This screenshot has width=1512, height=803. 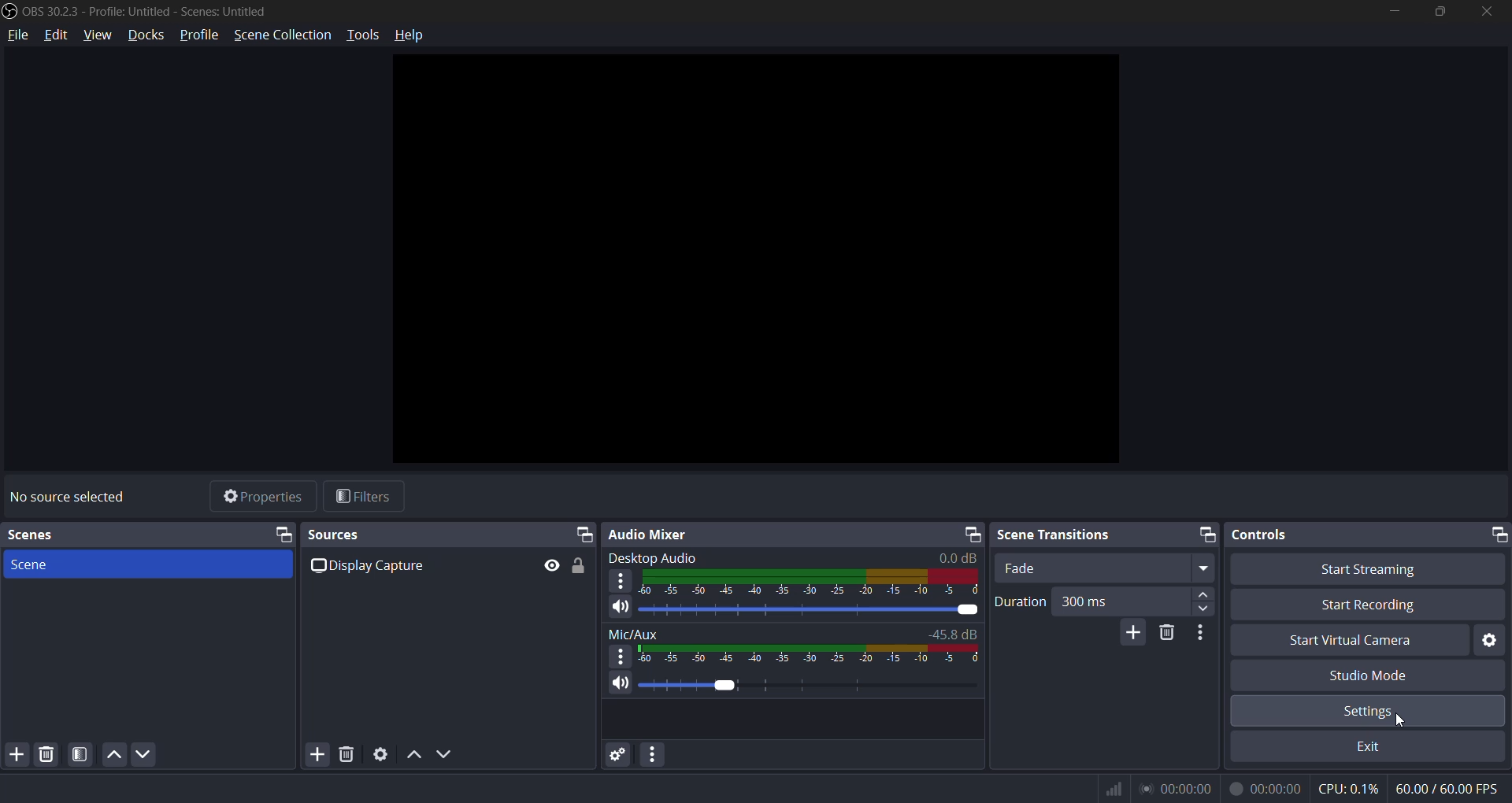 I want to click on 60.00/60.00 FPS, so click(x=1446, y=789).